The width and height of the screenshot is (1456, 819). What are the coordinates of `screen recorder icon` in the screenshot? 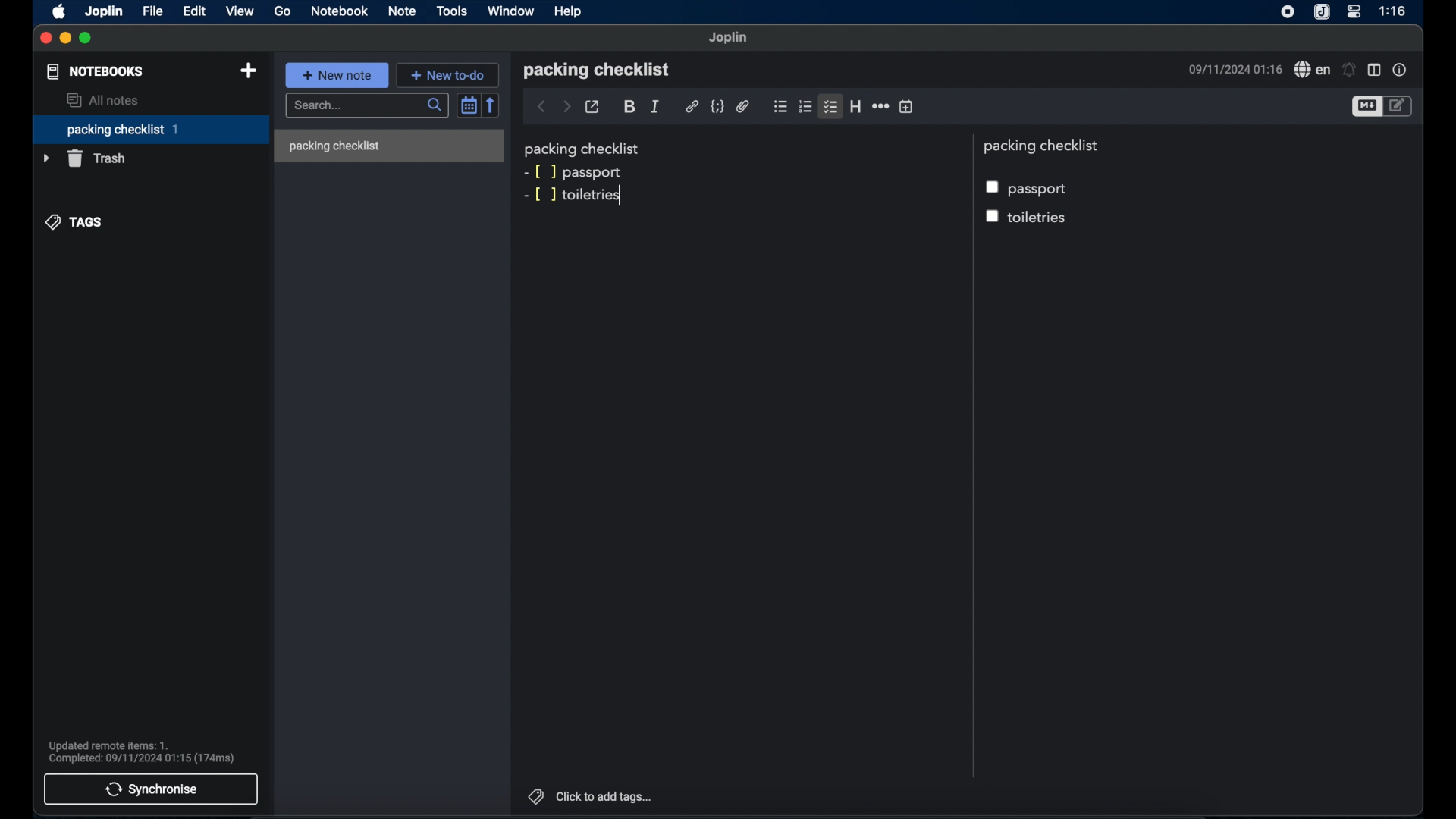 It's located at (1288, 13).